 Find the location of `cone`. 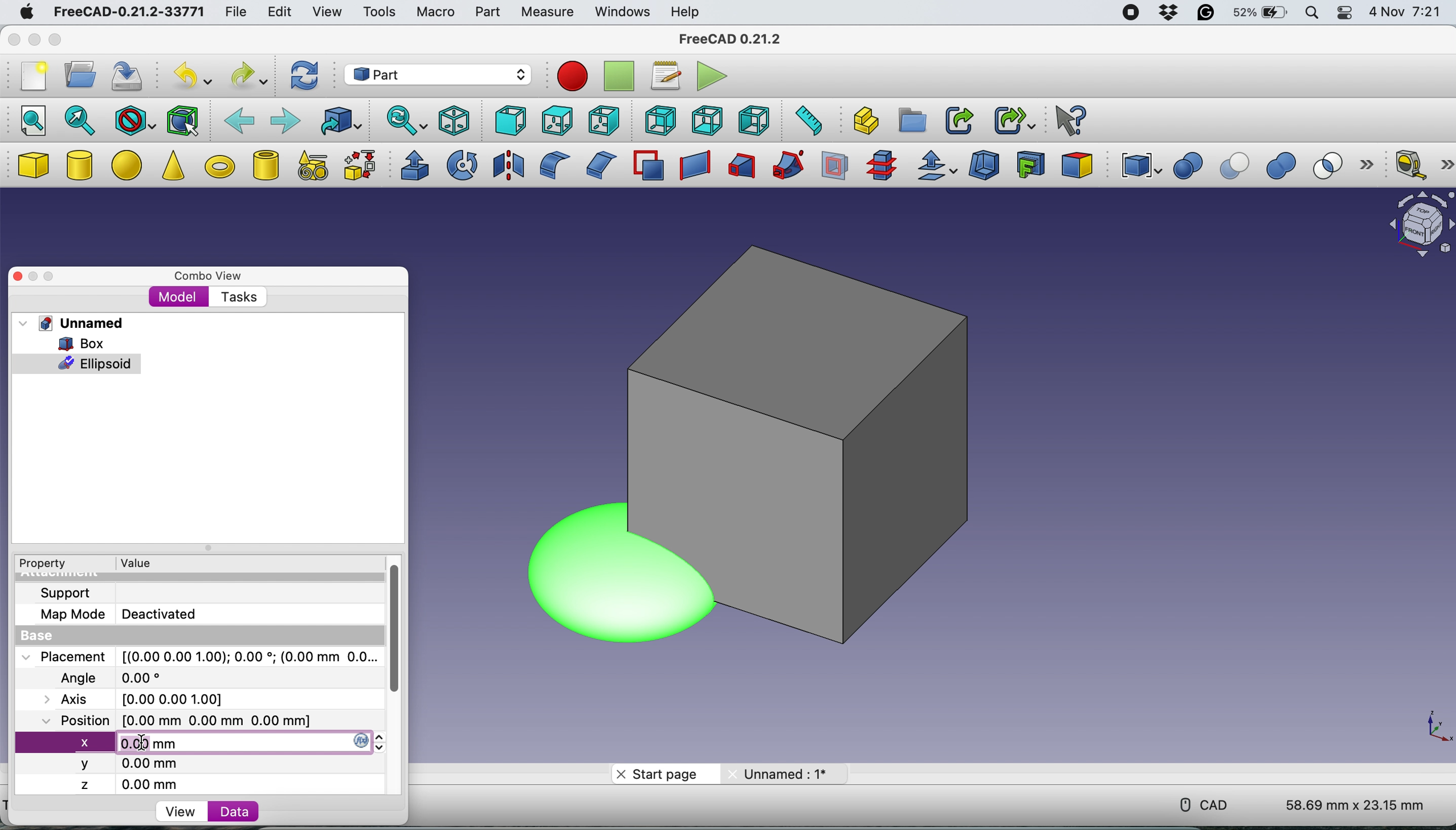

cone is located at coordinates (173, 168).